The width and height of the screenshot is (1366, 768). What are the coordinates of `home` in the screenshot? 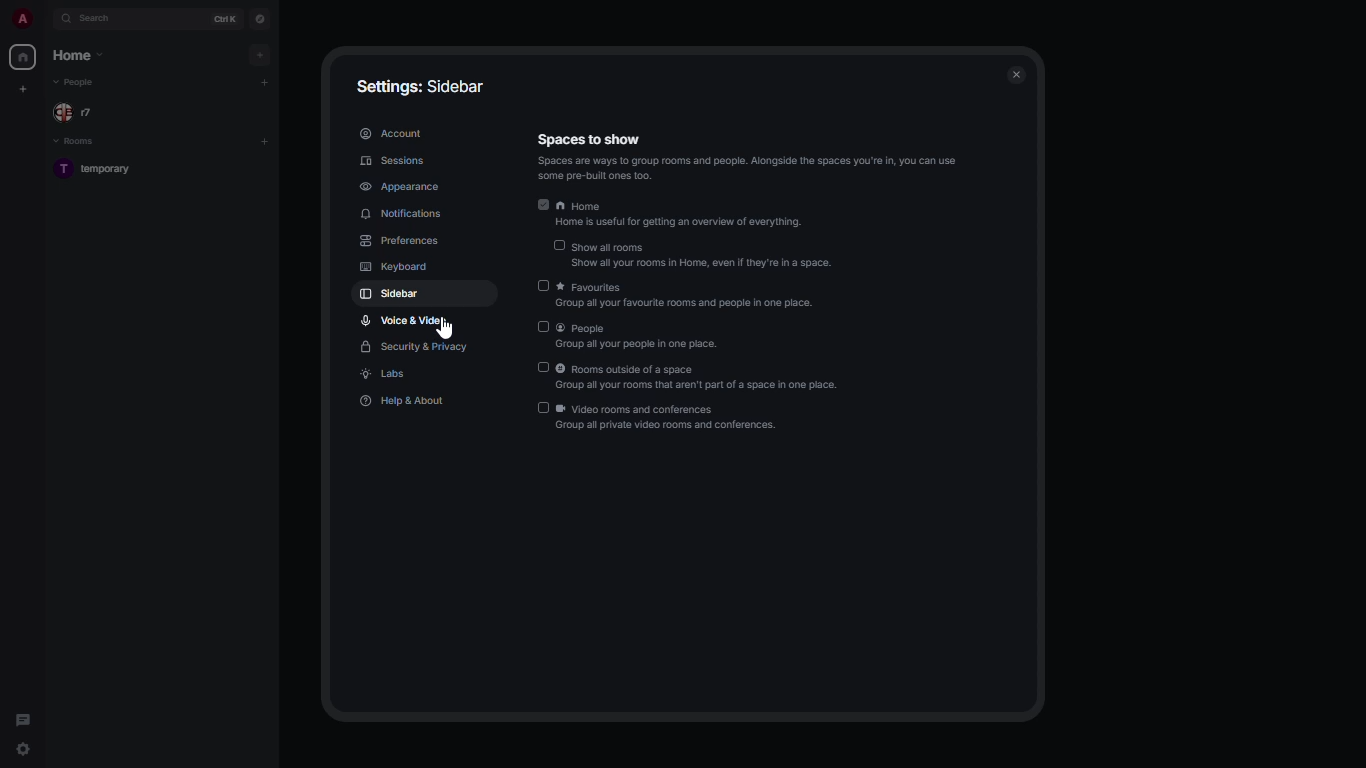 It's located at (77, 54).